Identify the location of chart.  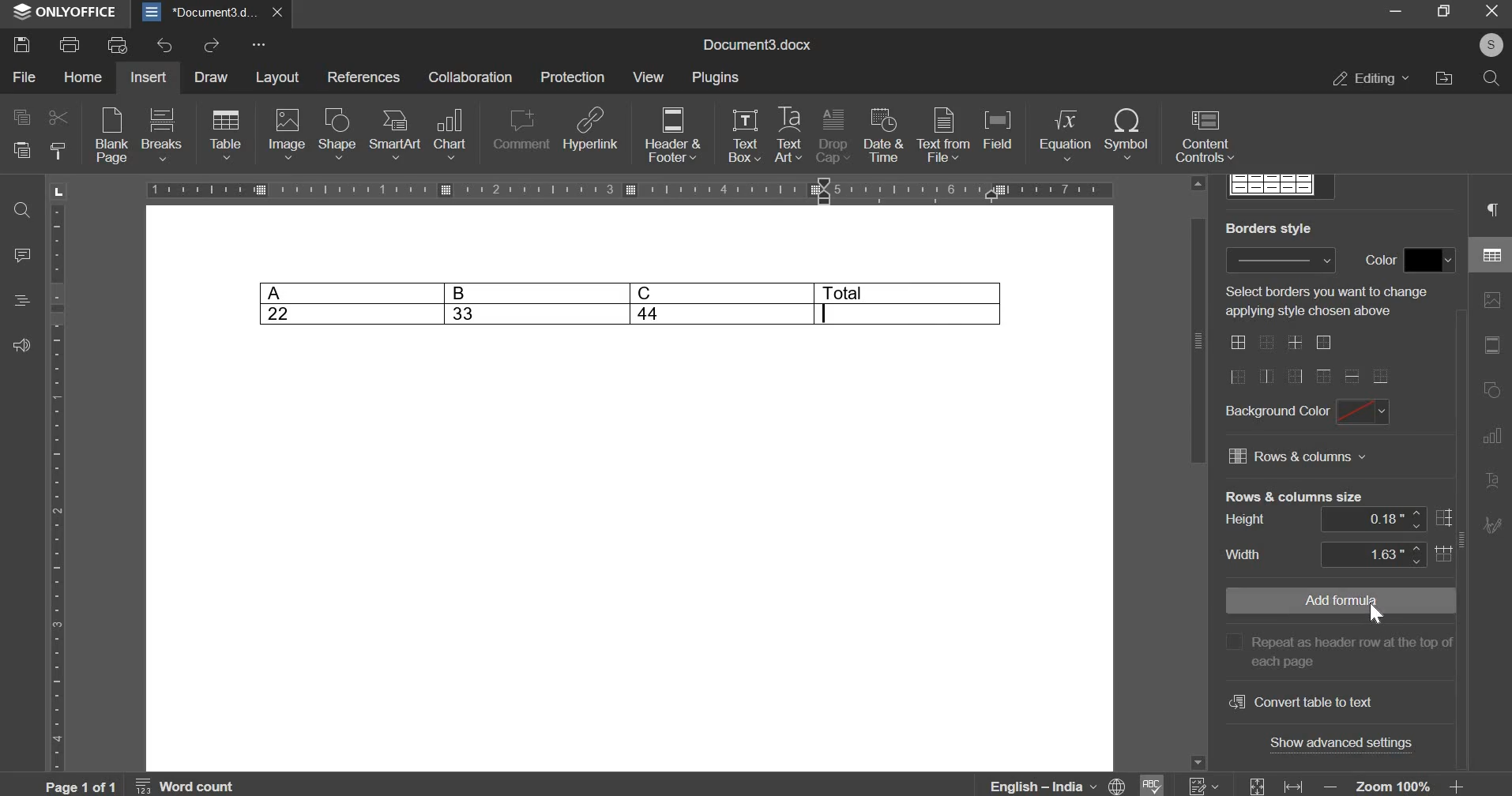
(451, 132).